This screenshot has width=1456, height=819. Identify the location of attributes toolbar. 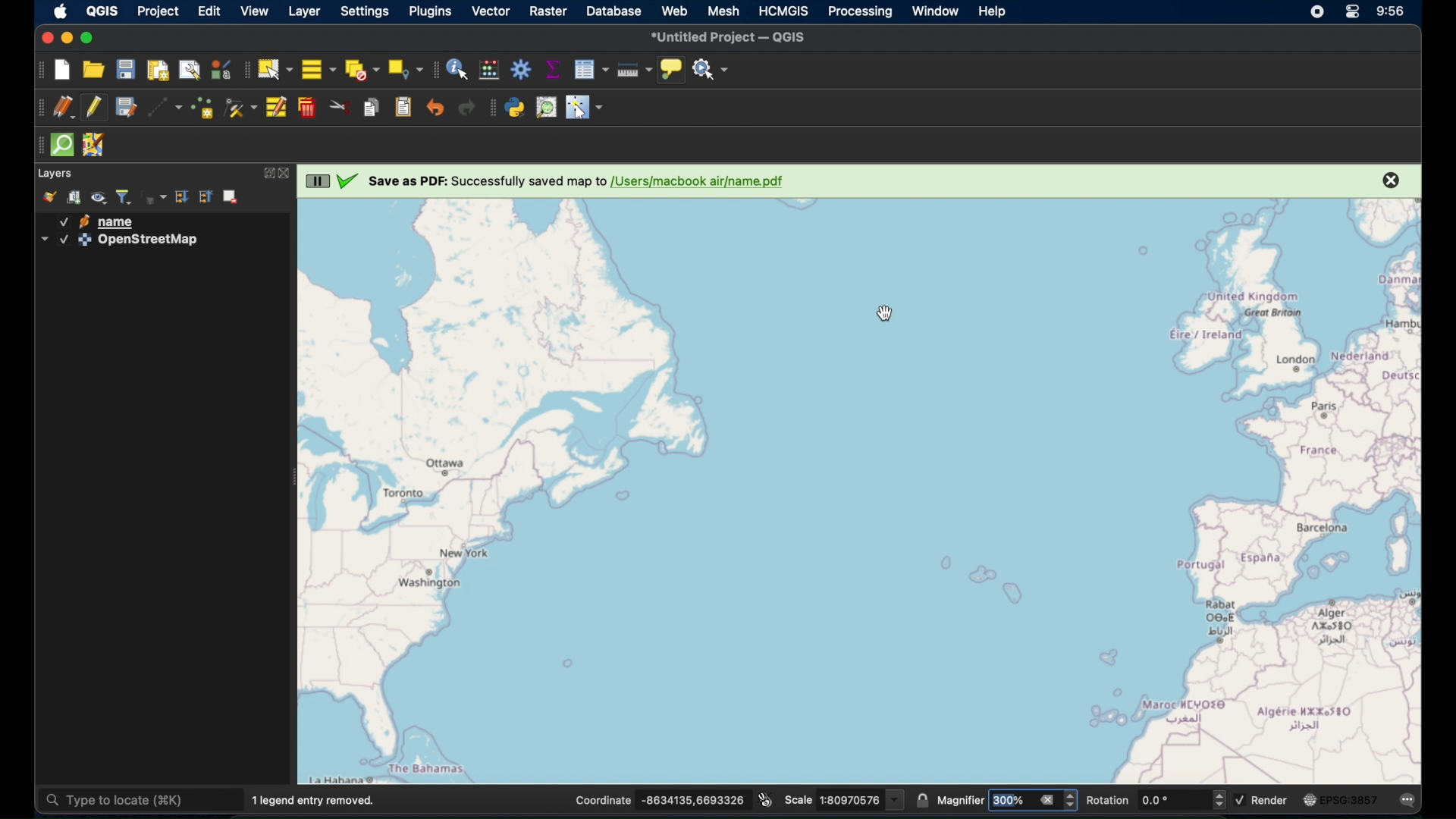
(435, 70).